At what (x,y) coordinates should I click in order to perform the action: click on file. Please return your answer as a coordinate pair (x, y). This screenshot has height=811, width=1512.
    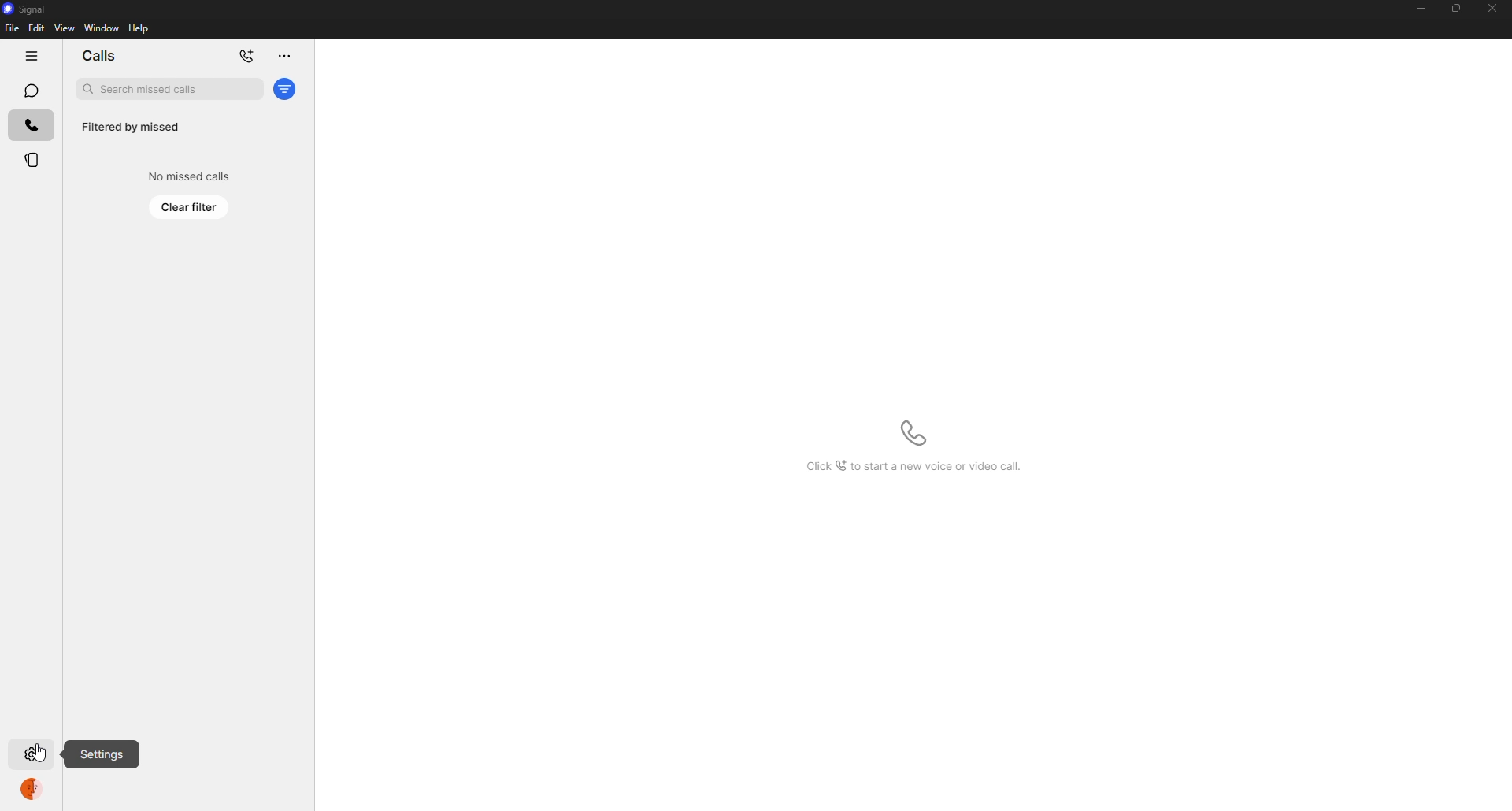
    Looking at the image, I should click on (11, 29).